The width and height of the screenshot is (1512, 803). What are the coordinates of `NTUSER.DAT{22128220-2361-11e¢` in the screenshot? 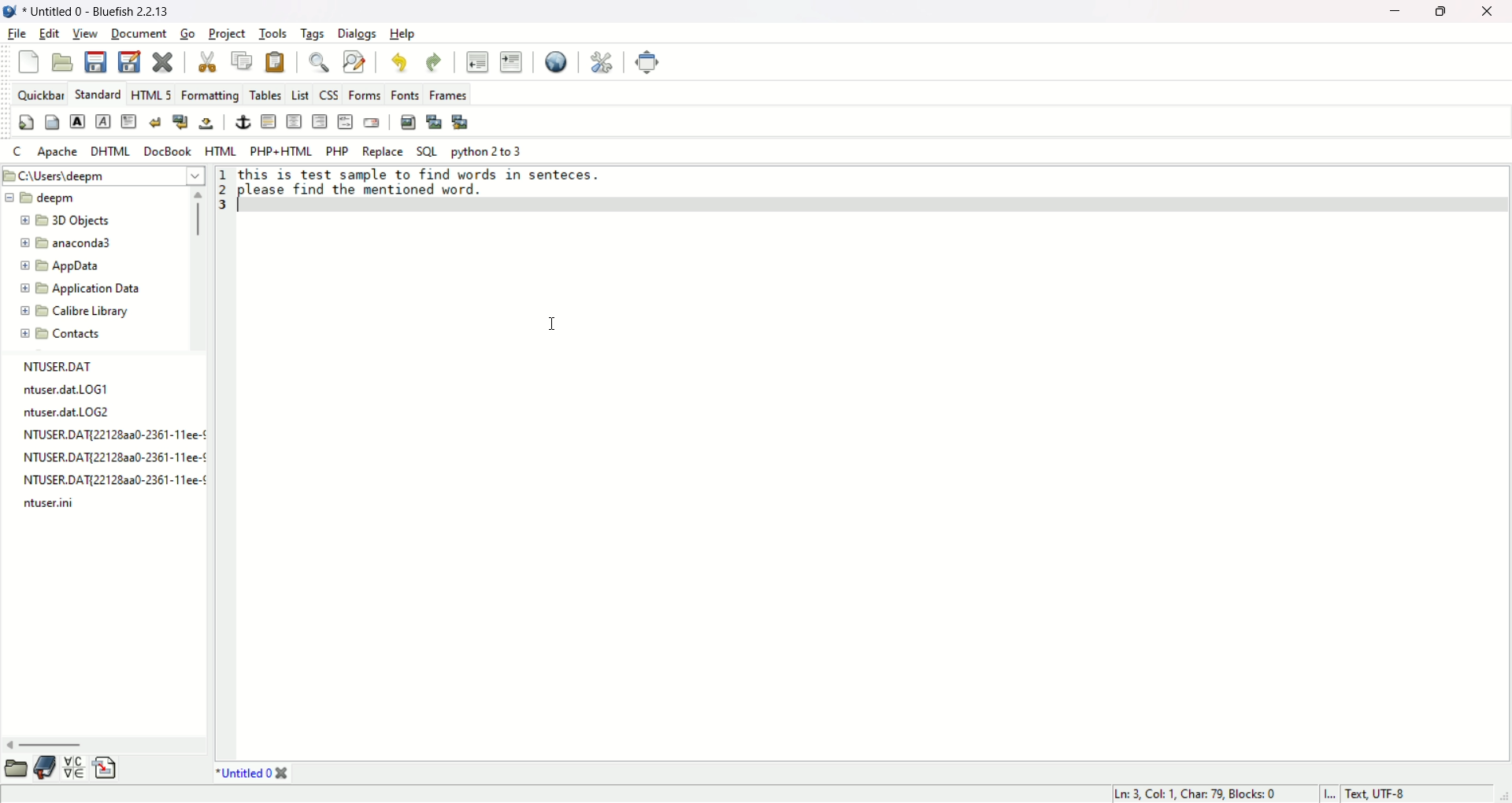 It's located at (101, 480).